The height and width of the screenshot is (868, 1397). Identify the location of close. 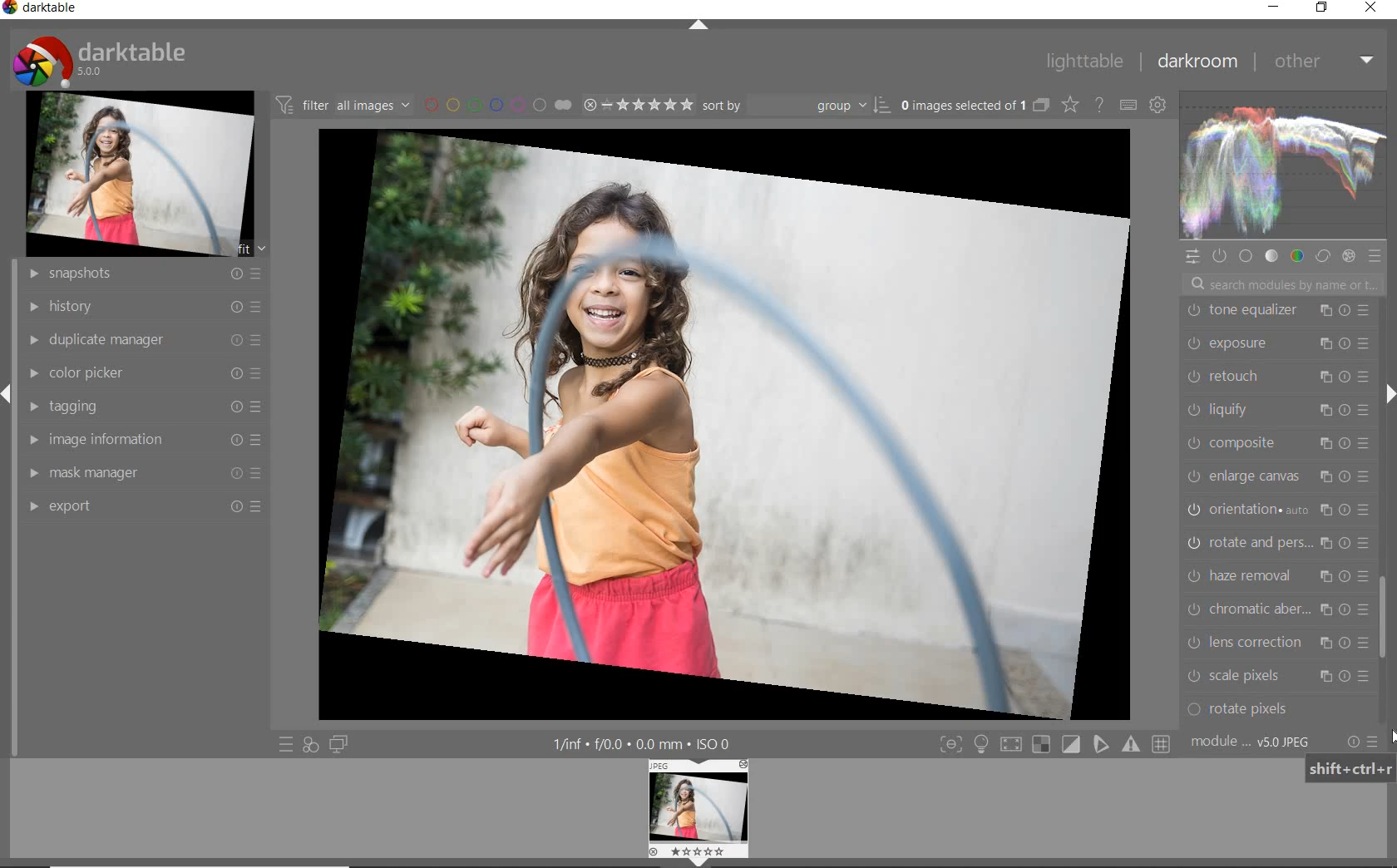
(1372, 7).